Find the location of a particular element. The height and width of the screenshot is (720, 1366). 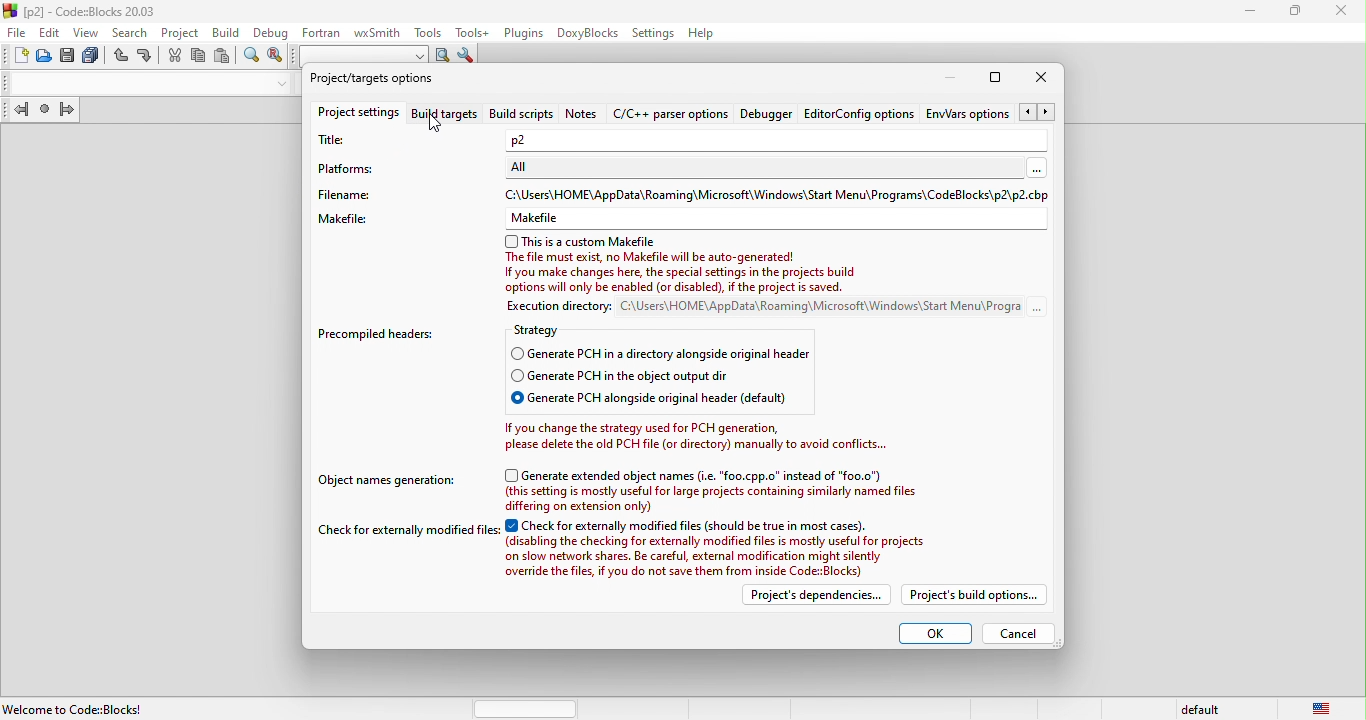

replace is located at coordinates (275, 57).